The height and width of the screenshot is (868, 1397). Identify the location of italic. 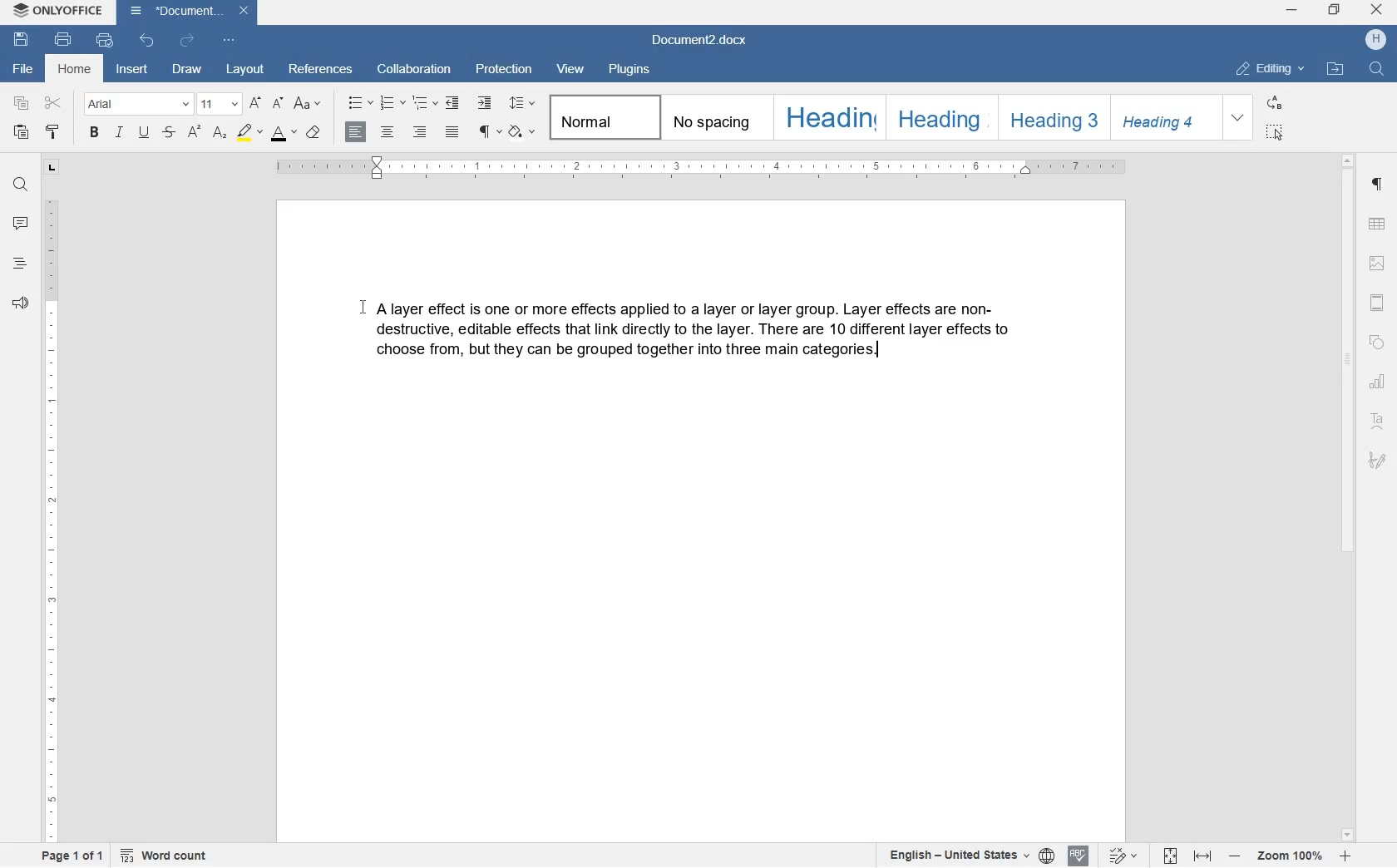
(120, 133).